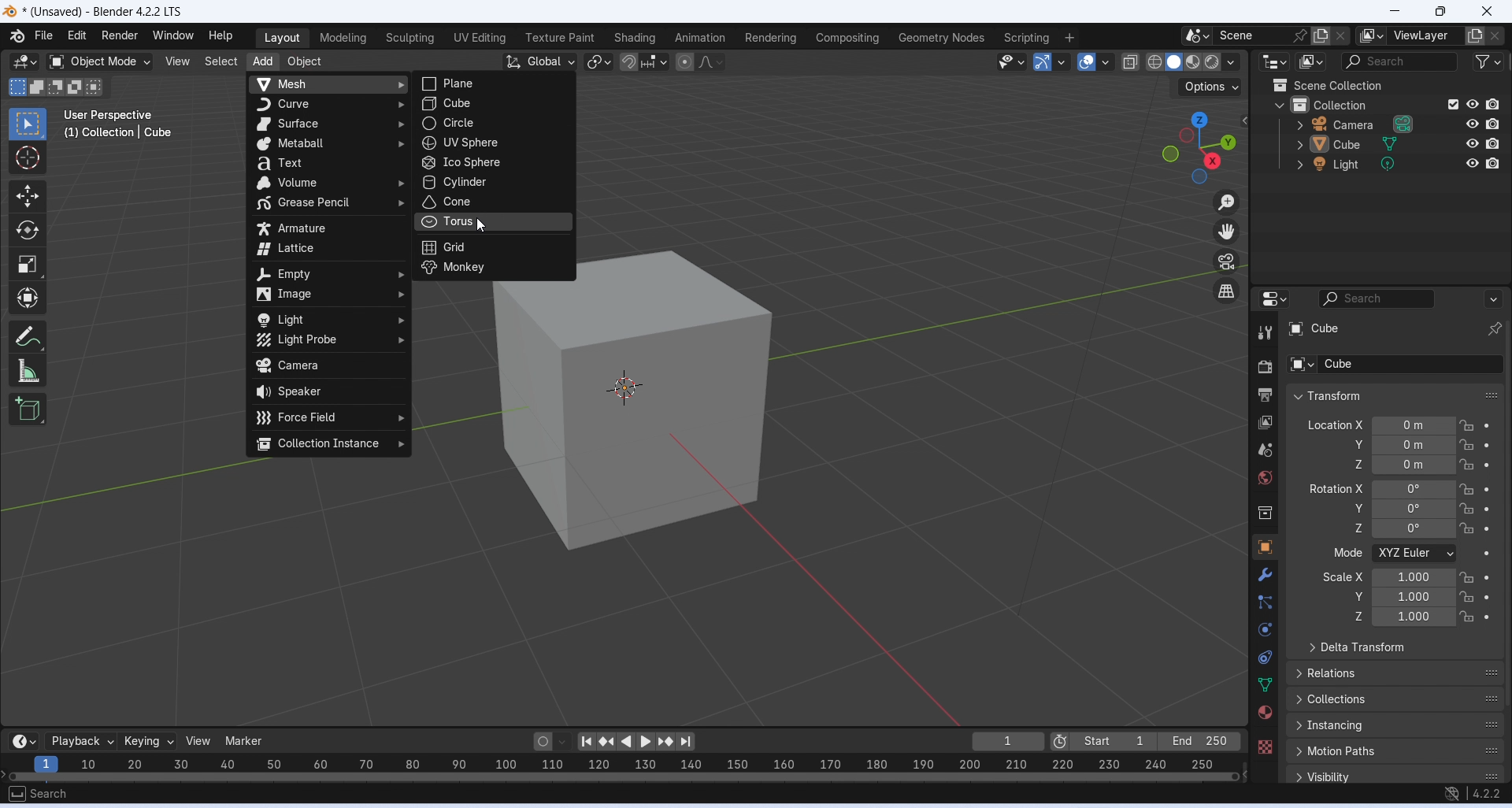 The image size is (1512, 808). What do you see at coordinates (28, 158) in the screenshot?
I see `Cursor` at bounding box center [28, 158].